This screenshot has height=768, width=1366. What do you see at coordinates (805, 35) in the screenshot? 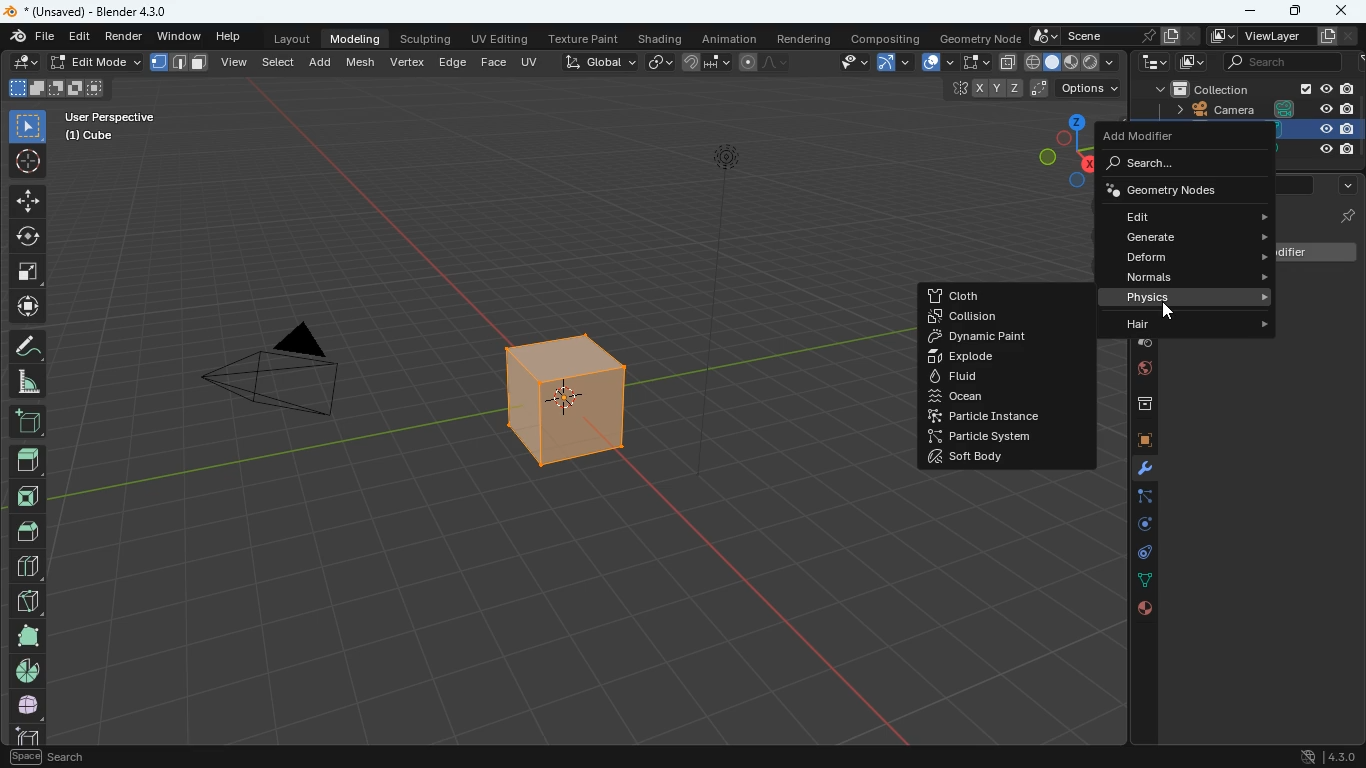
I see `rendering` at bounding box center [805, 35].